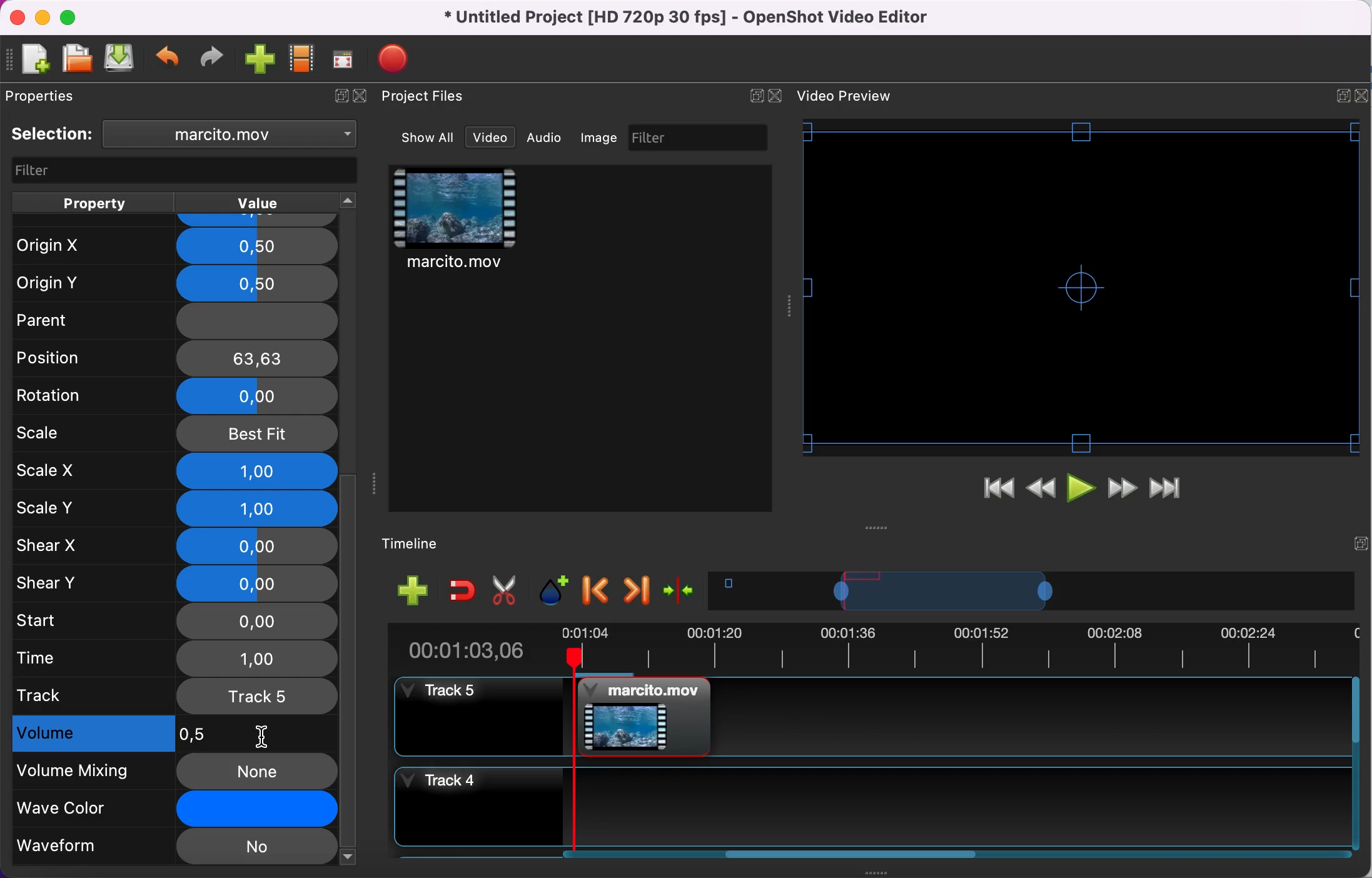 The height and width of the screenshot is (878, 1372). Describe the element at coordinates (871, 652) in the screenshot. I see `clip duration` at that location.